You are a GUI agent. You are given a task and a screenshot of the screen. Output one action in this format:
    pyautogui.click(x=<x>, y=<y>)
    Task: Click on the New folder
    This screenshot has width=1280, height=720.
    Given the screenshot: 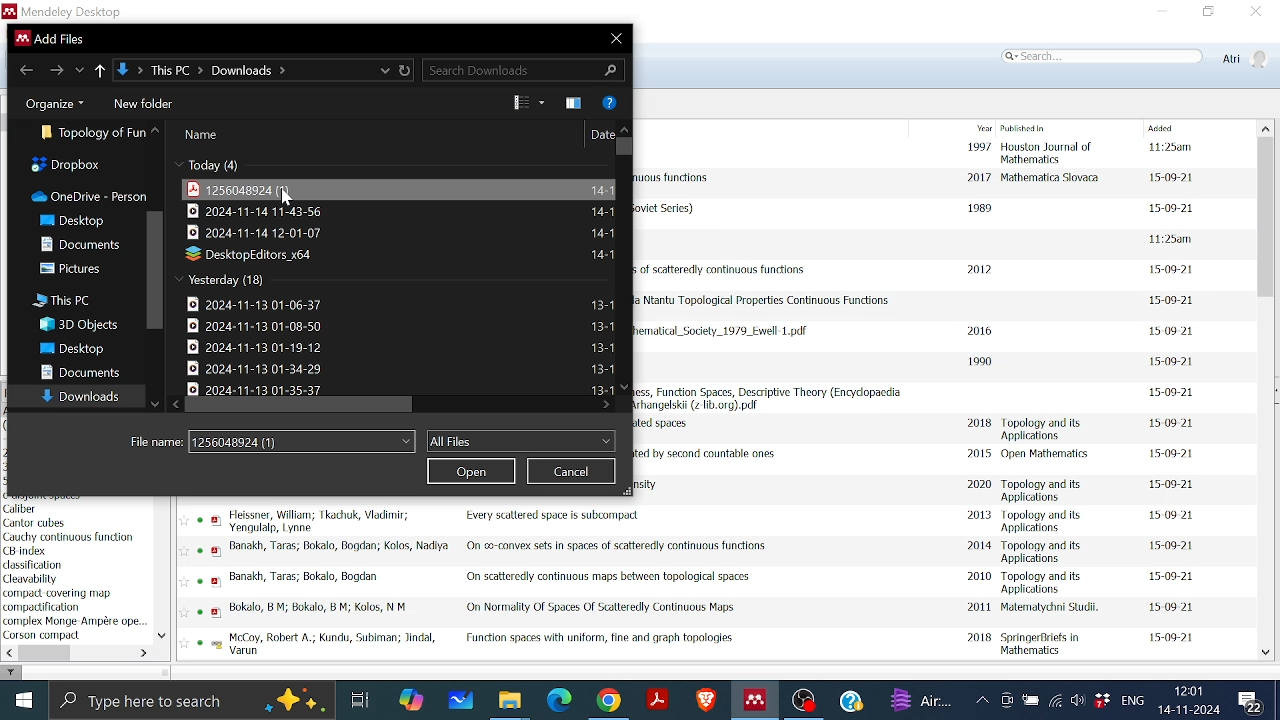 What is the action you would take?
    pyautogui.click(x=144, y=103)
    